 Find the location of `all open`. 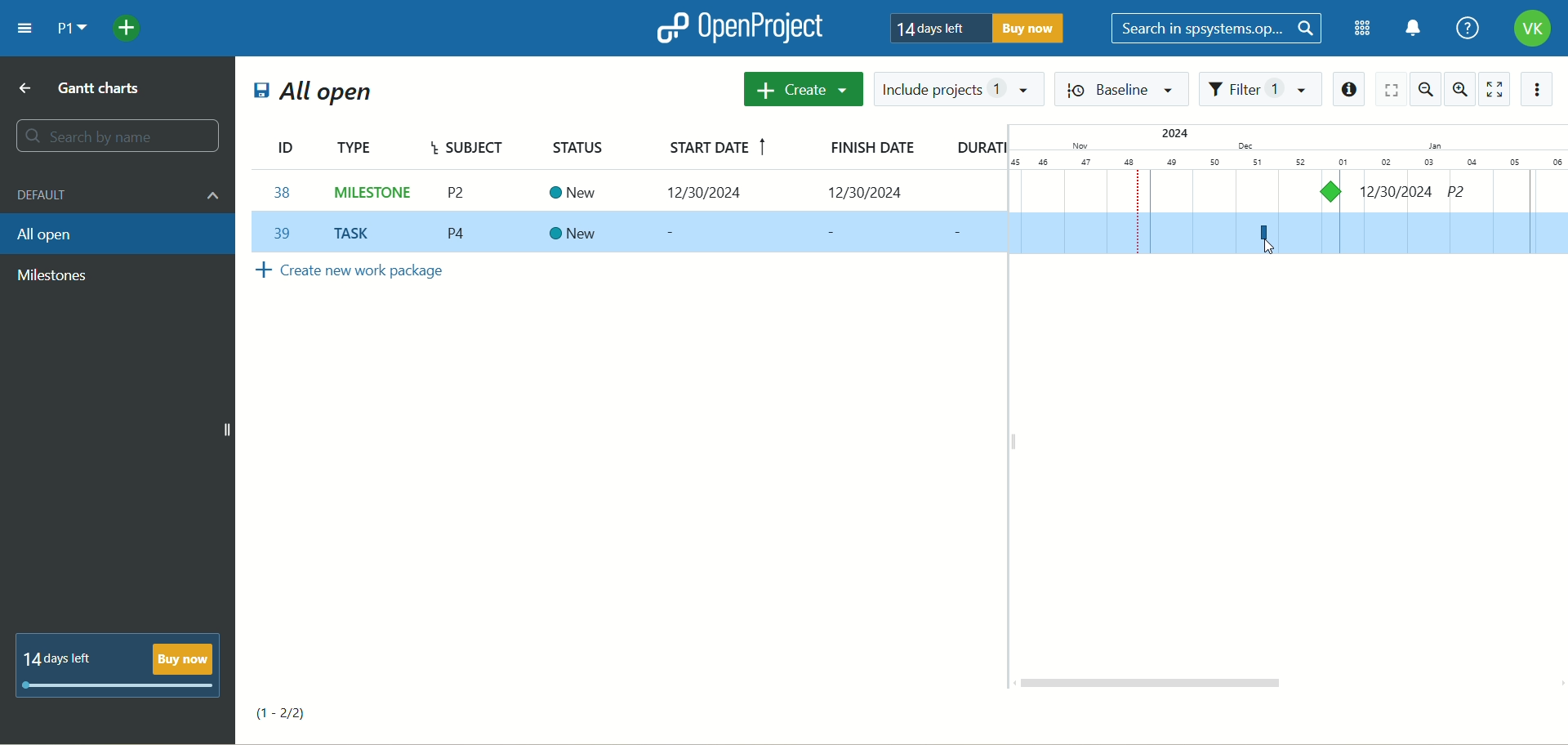

all open is located at coordinates (317, 92).